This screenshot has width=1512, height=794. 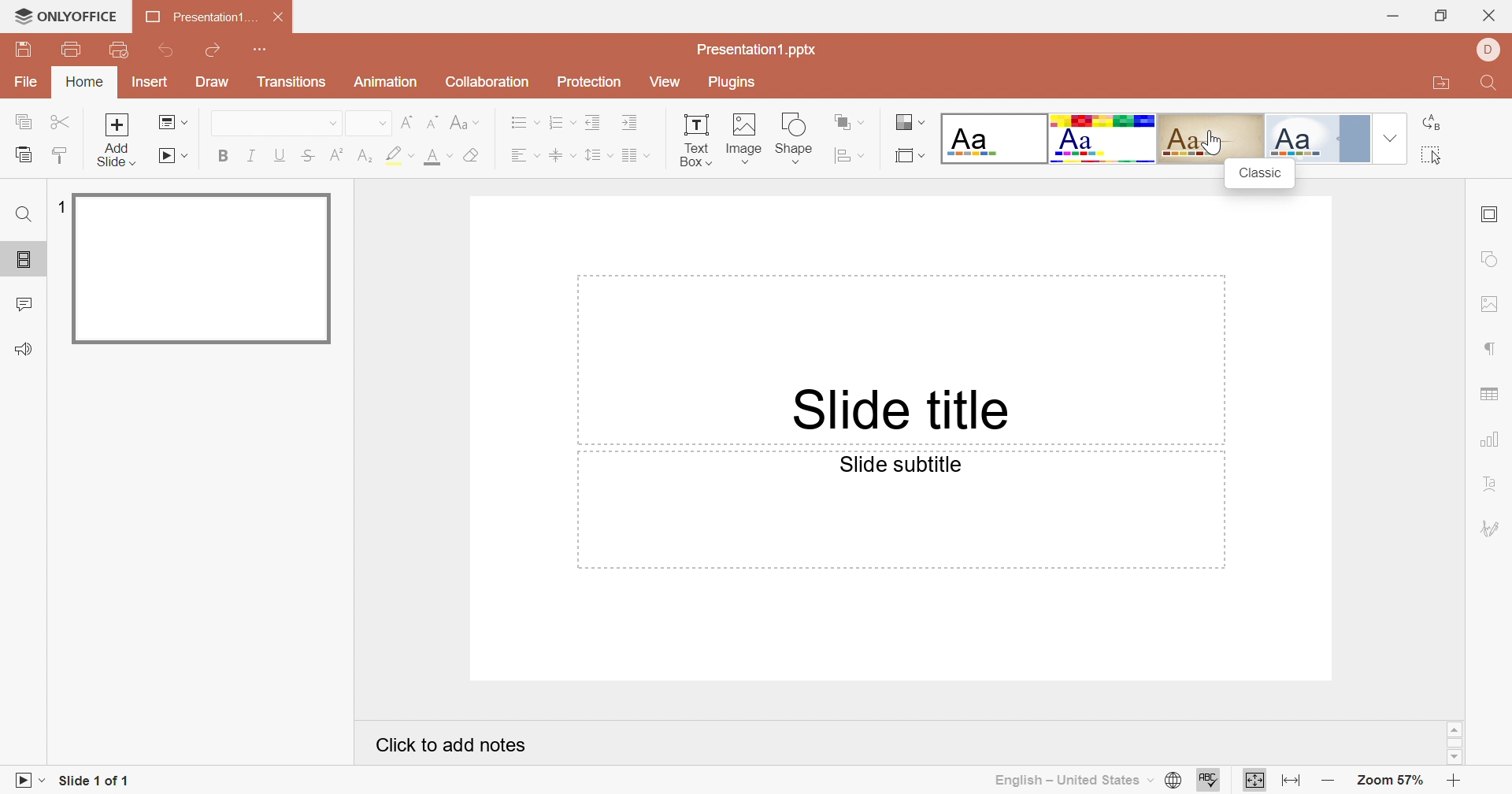 I want to click on English - United States, so click(x=1069, y=780).